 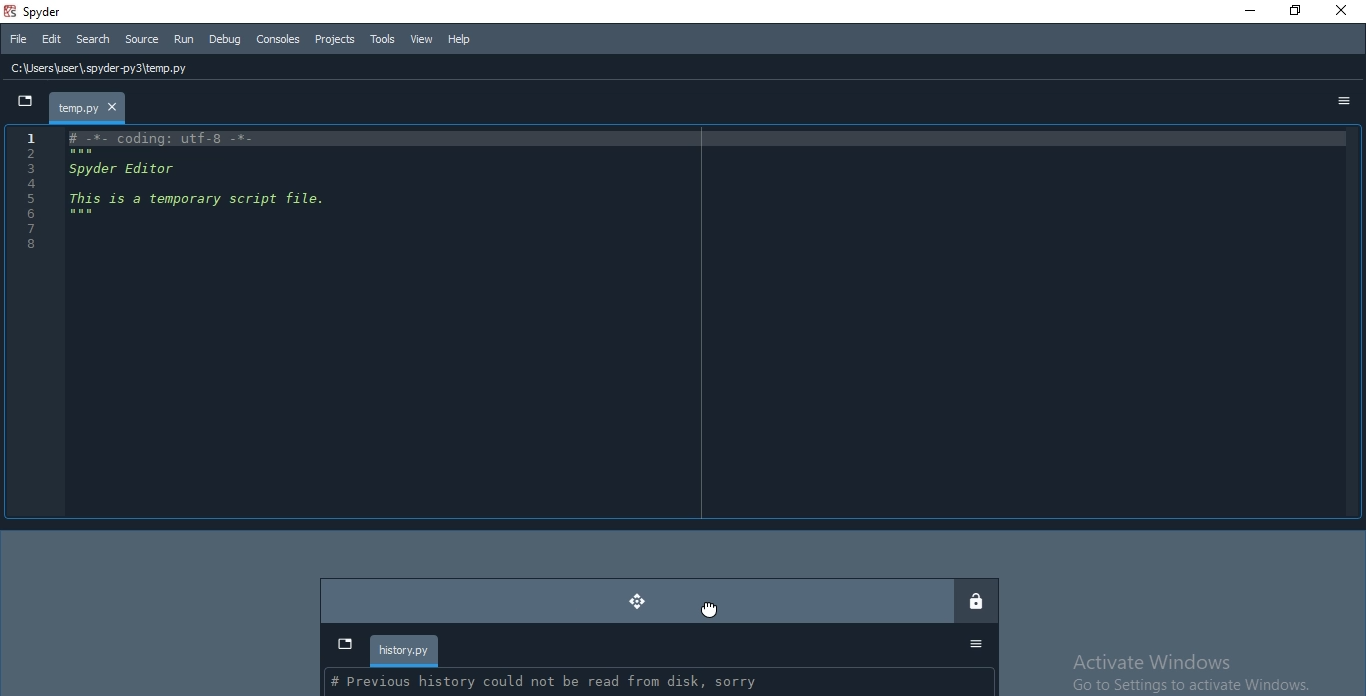 I want to click on Debug, so click(x=225, y=39).